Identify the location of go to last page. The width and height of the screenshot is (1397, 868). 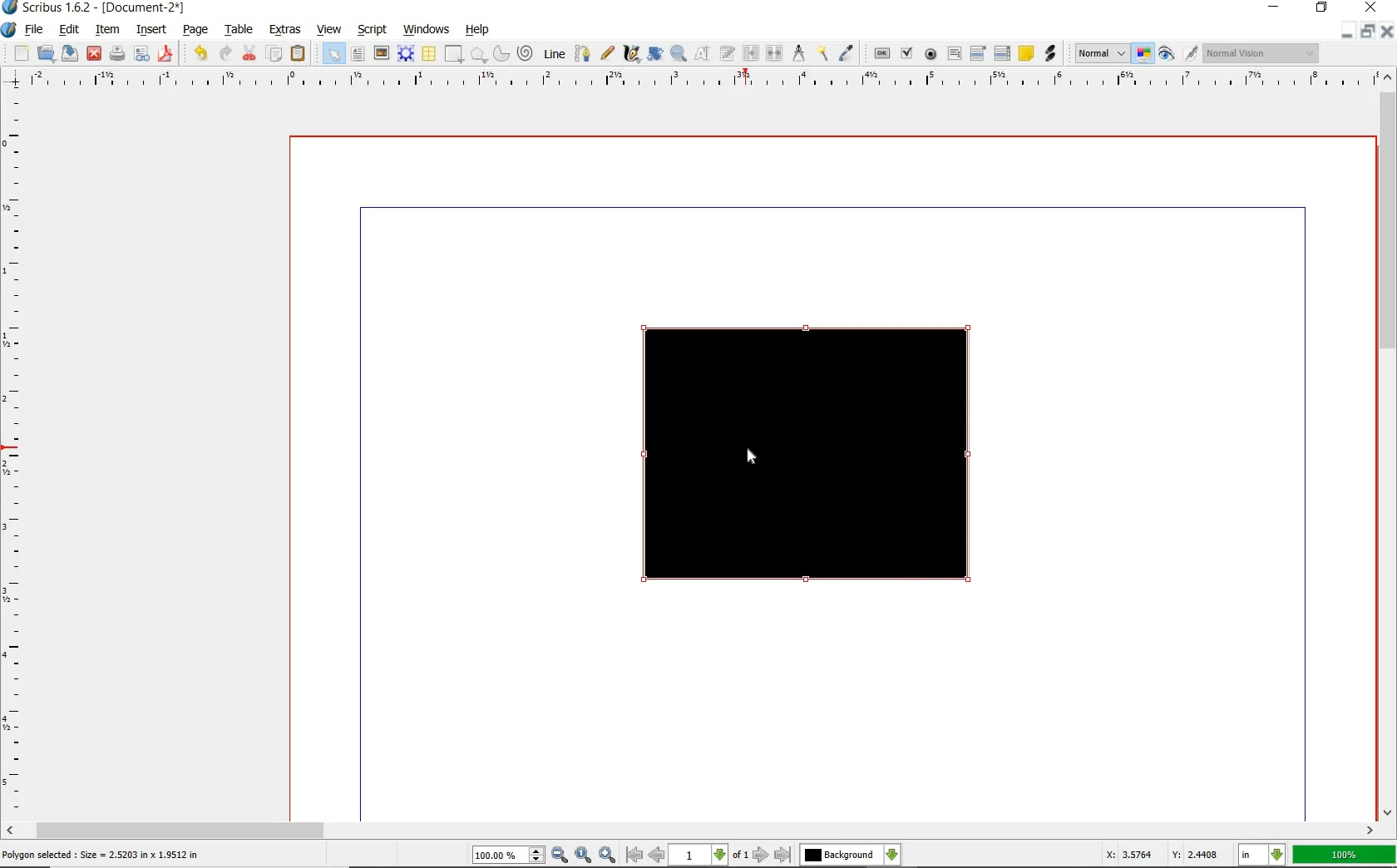
(783, 854).